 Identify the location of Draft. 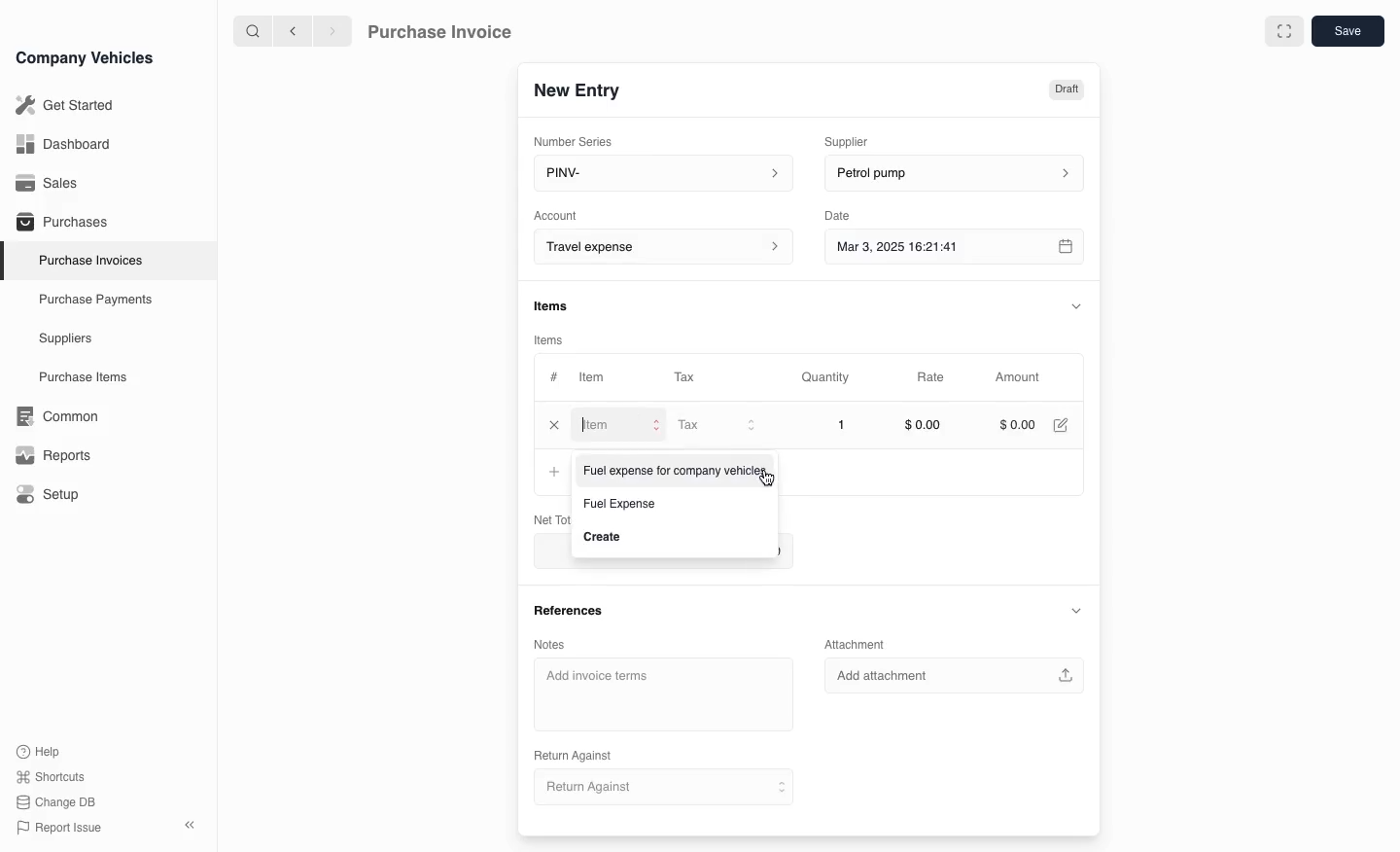
(1065, 88).